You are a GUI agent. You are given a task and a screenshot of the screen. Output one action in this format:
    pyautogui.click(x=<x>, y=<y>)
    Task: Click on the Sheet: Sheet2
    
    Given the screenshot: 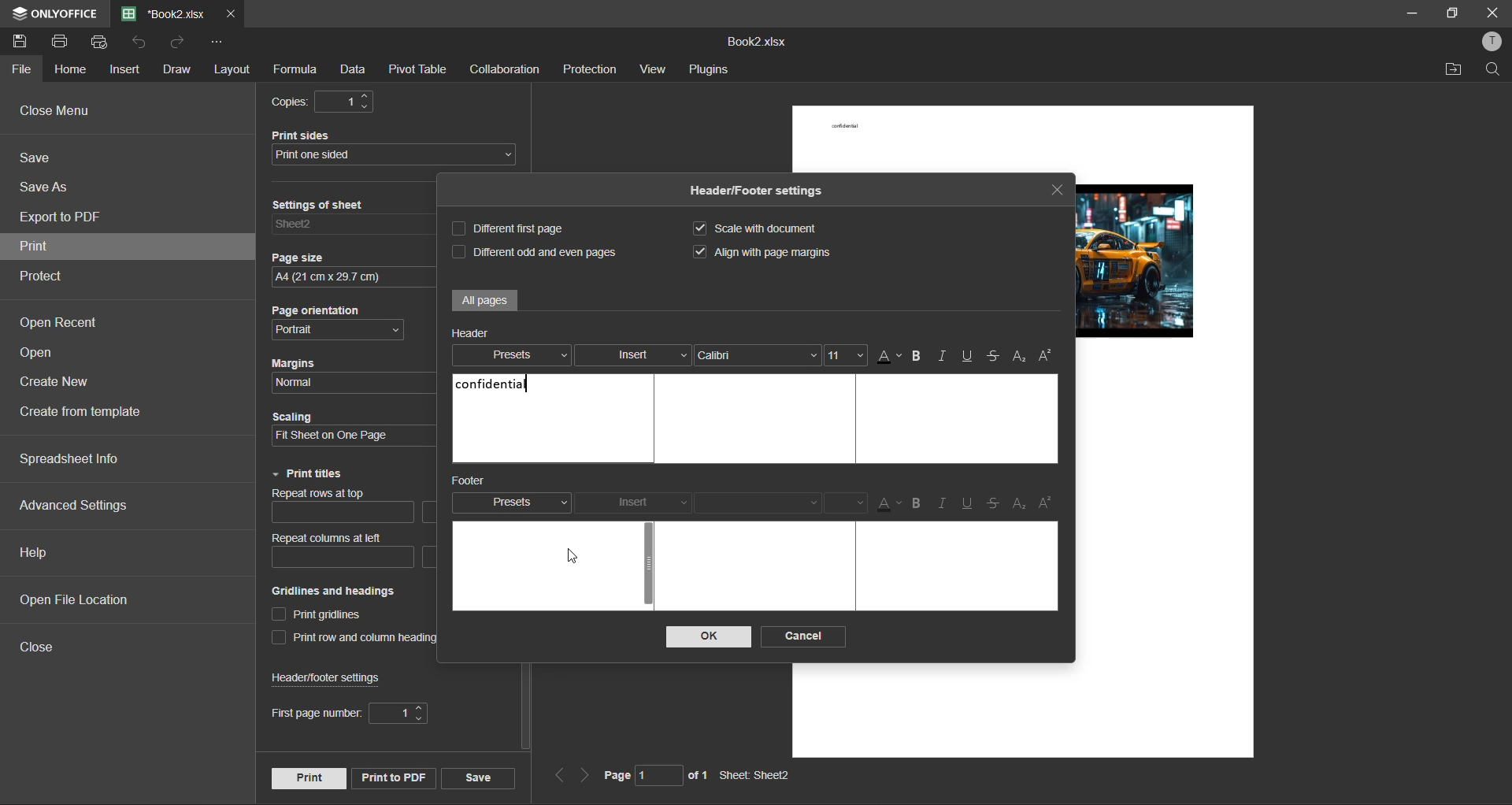 What is the action you would take?
    pyautogui.click(x=755, y=776)
    